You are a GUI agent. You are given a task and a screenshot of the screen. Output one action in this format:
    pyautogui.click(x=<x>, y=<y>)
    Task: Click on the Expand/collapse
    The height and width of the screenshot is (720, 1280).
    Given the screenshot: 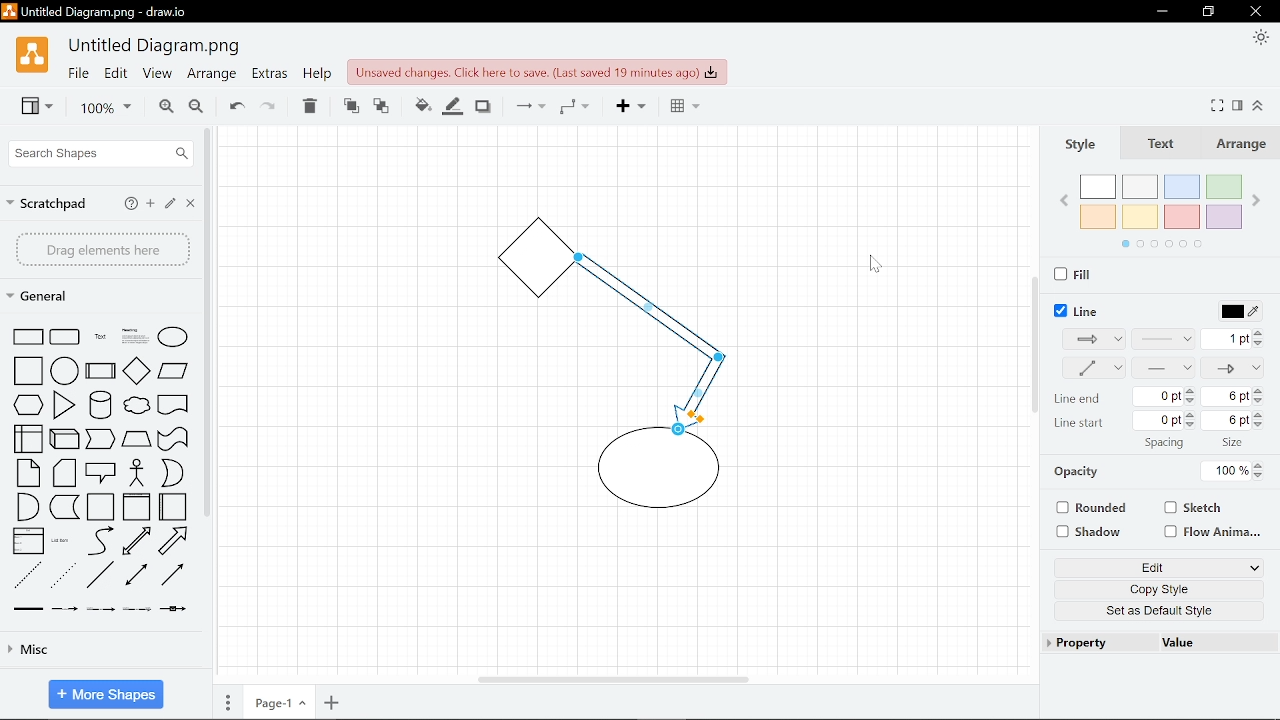 What is the action you would take?
    pyautogui.click(x=1261, y=106)
    